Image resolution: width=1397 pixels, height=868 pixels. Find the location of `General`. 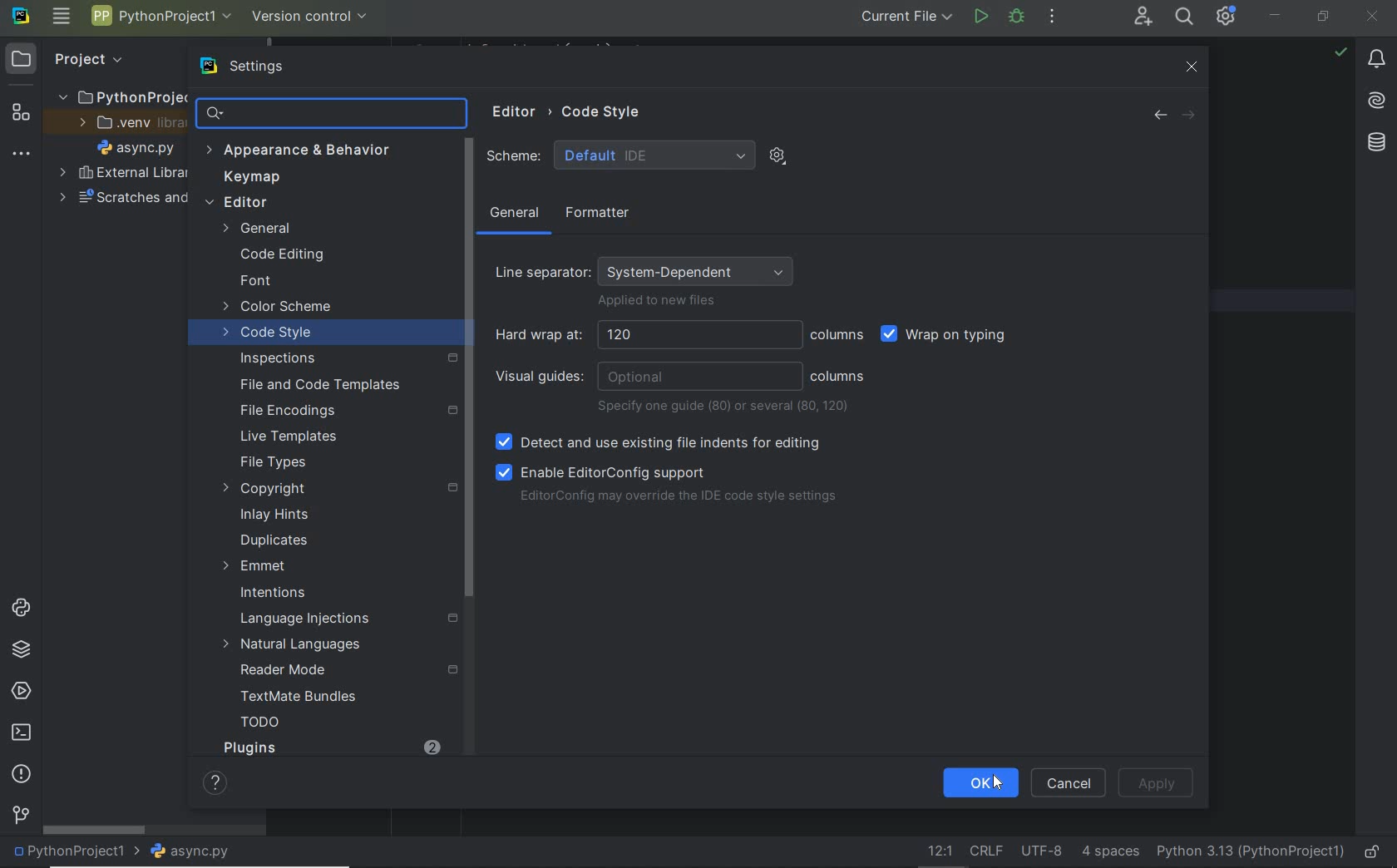

General is located at coordinates (298, 229).